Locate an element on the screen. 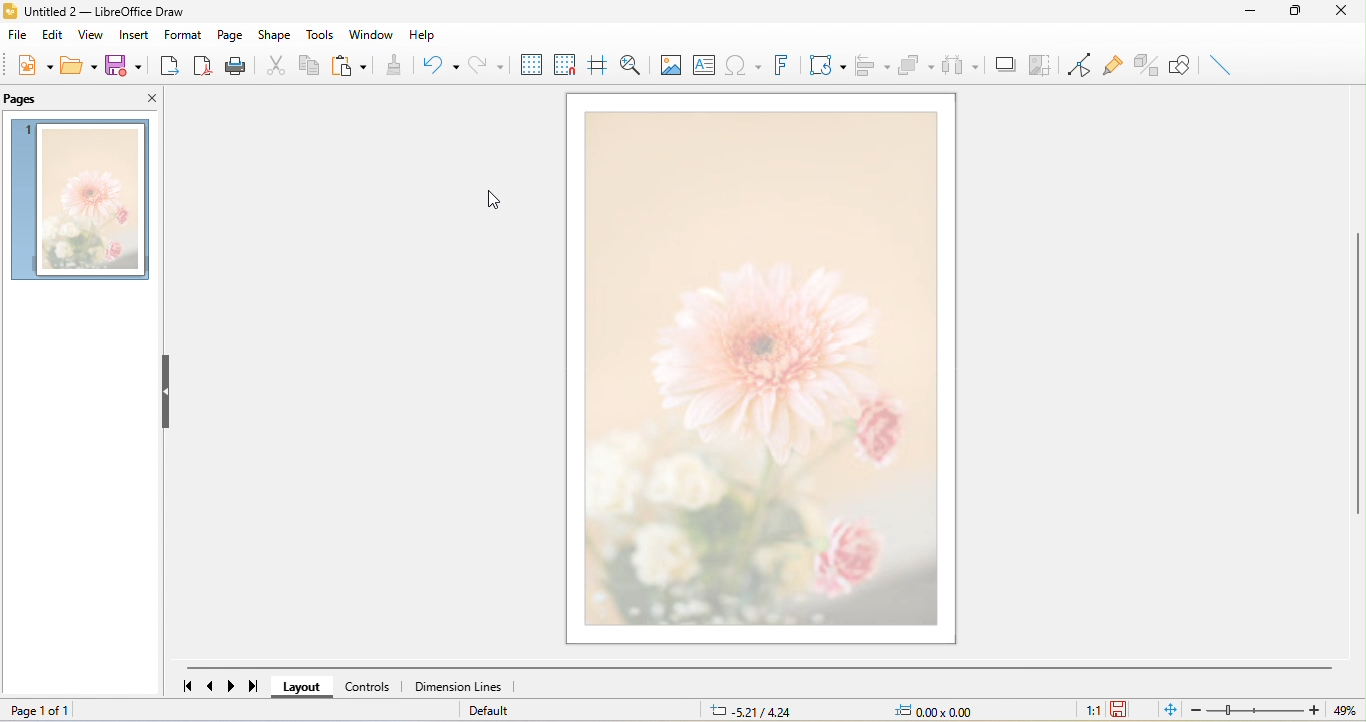 The height and width of the screenshot is (722, 1366). image is located at coordinates (675, 65).